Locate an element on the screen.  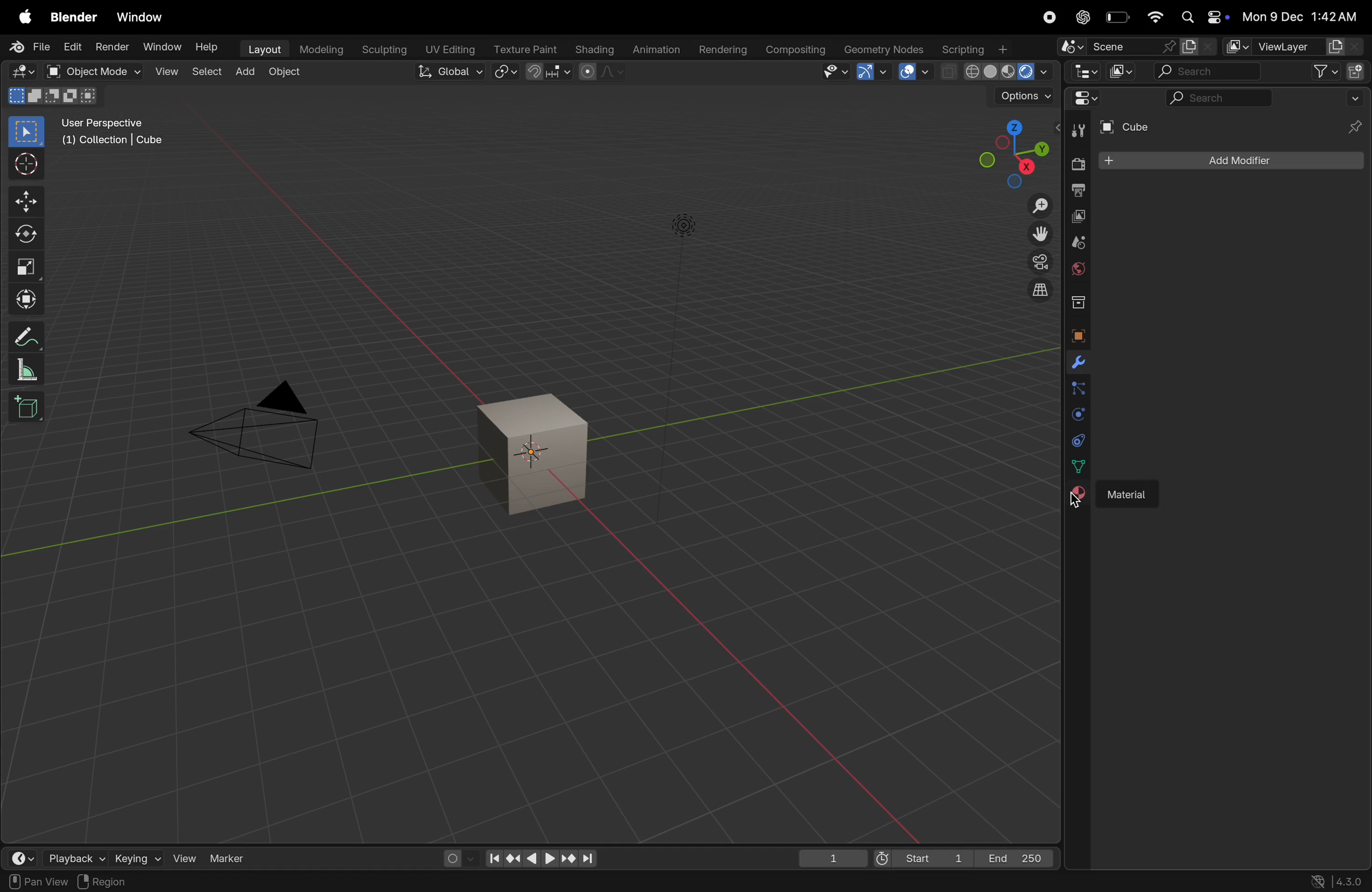
new collection is located at coordinates (1358, 70).